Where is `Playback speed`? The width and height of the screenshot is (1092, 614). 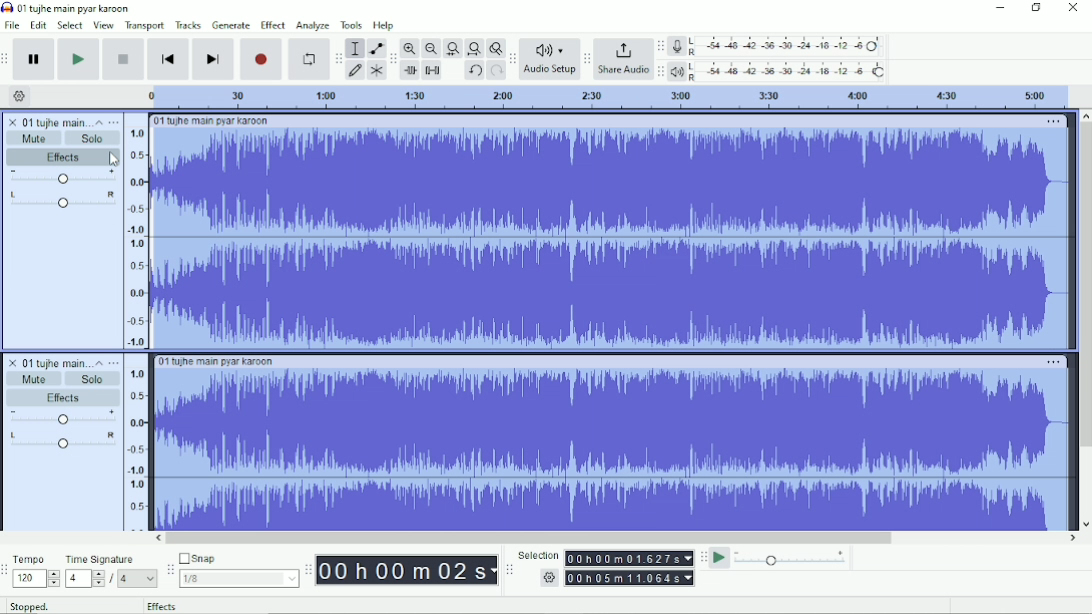 Playback speed is located at coordinates (792, 558).